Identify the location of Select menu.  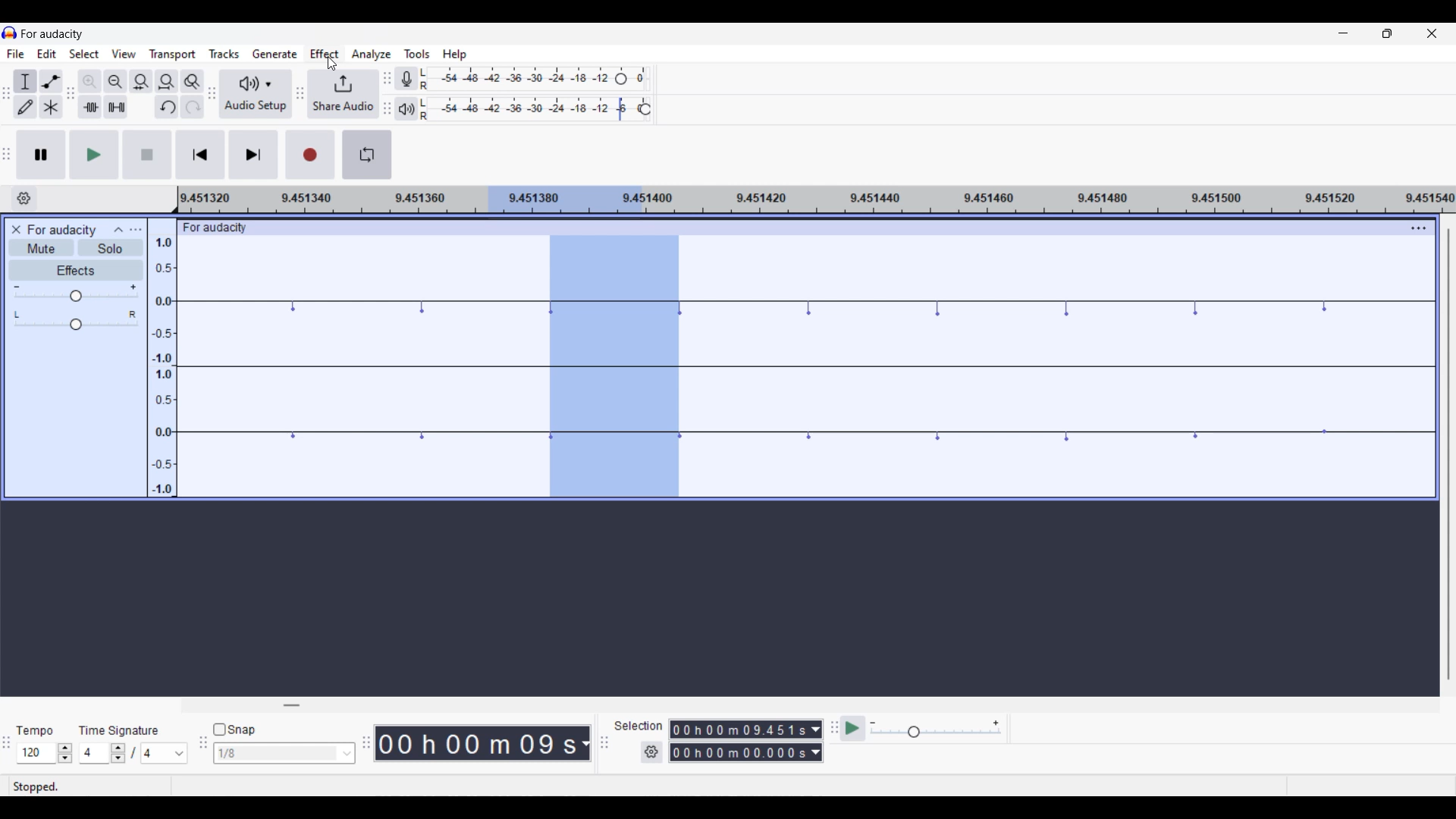
(85, 54).